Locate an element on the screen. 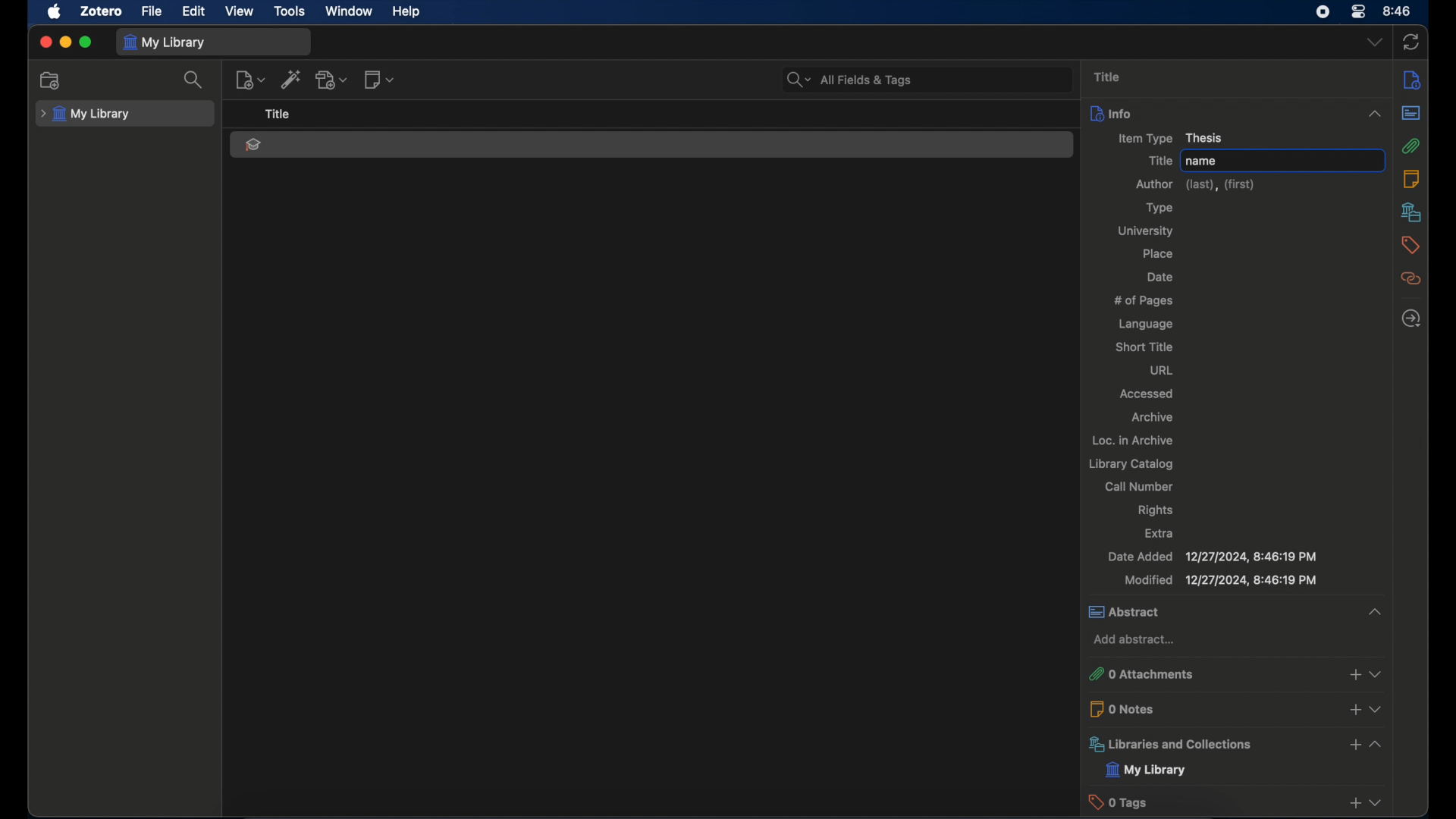 The width and height of the screenshot is (1456, 819). libraries is located at coordinates (1412, 212).